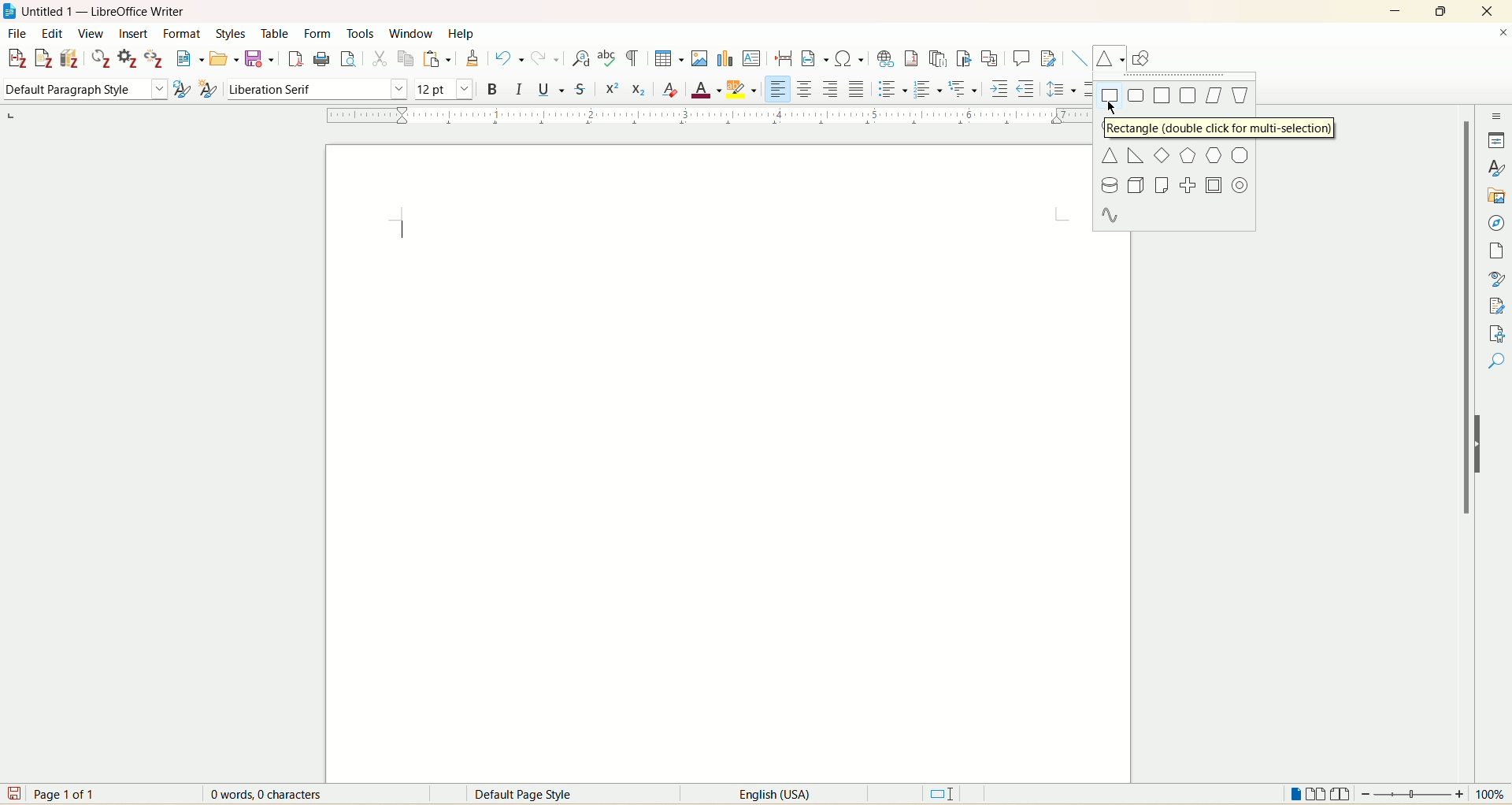  I want to click on font size, so click(444, 87).